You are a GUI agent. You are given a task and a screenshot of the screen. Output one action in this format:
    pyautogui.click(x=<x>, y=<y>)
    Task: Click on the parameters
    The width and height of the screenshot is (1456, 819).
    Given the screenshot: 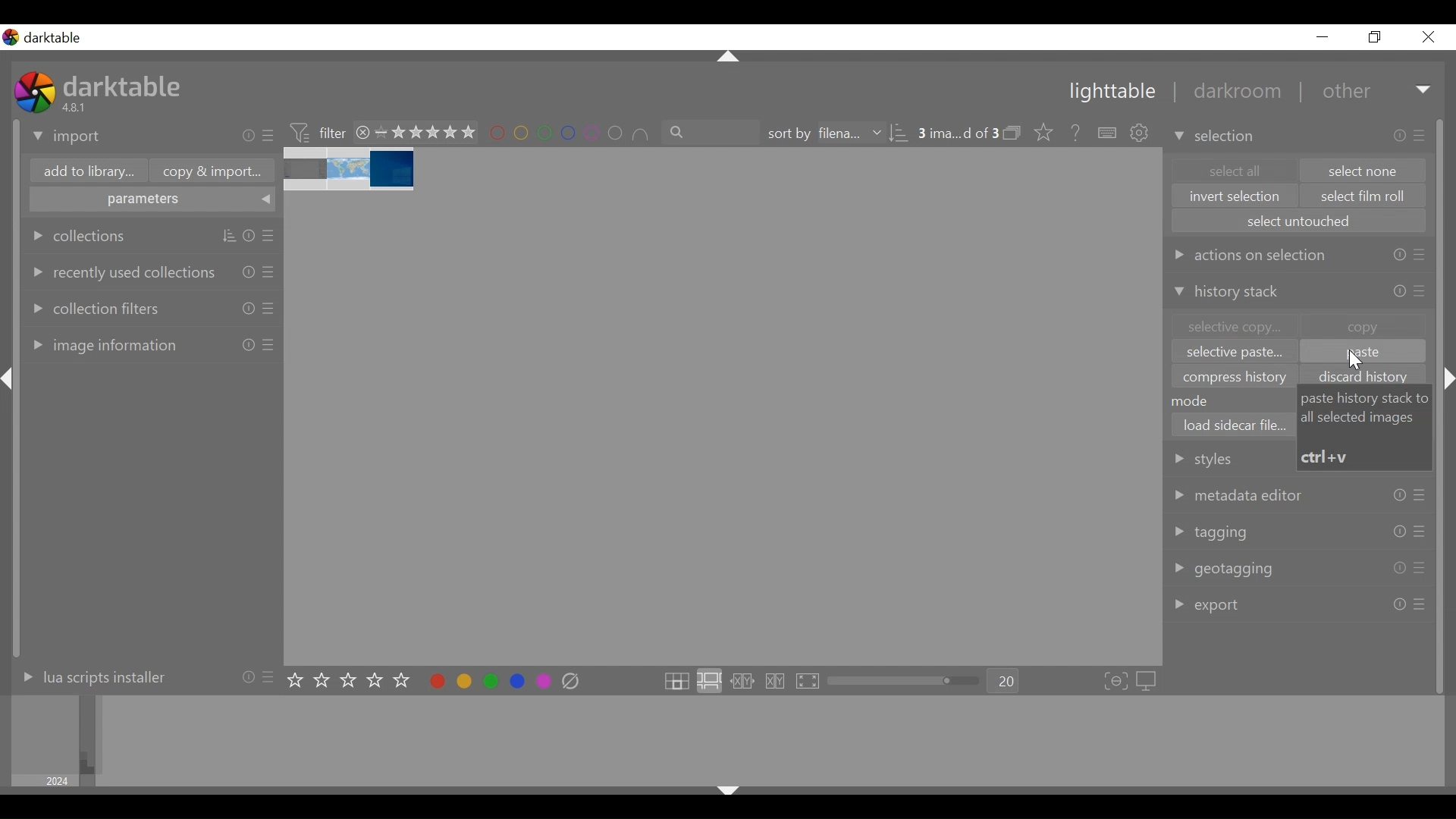 What is the action you would take?
    pyautogui.click(x=153, y=201)
    